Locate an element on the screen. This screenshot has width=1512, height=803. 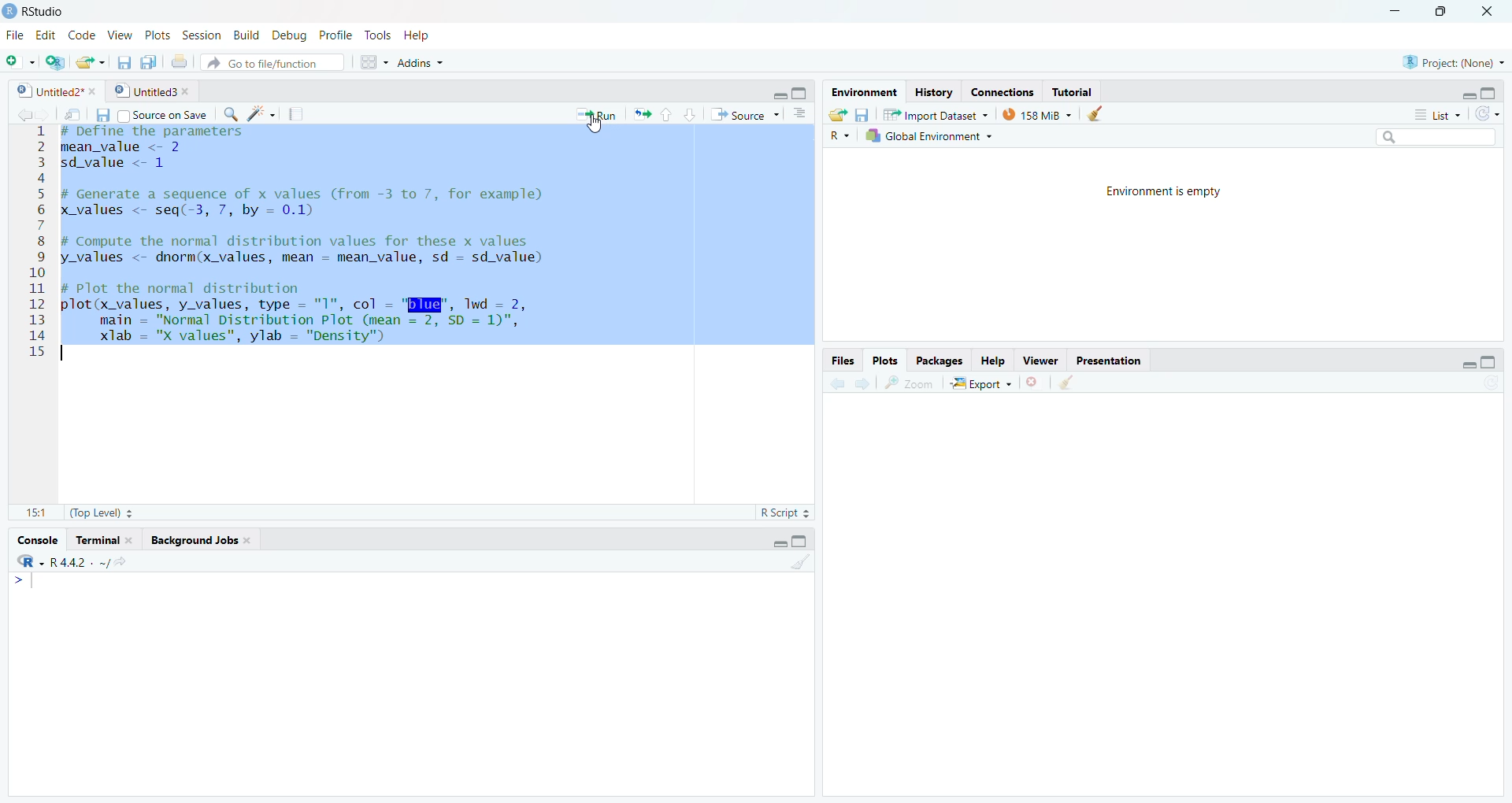
code block is located at coordinates (254, 113).